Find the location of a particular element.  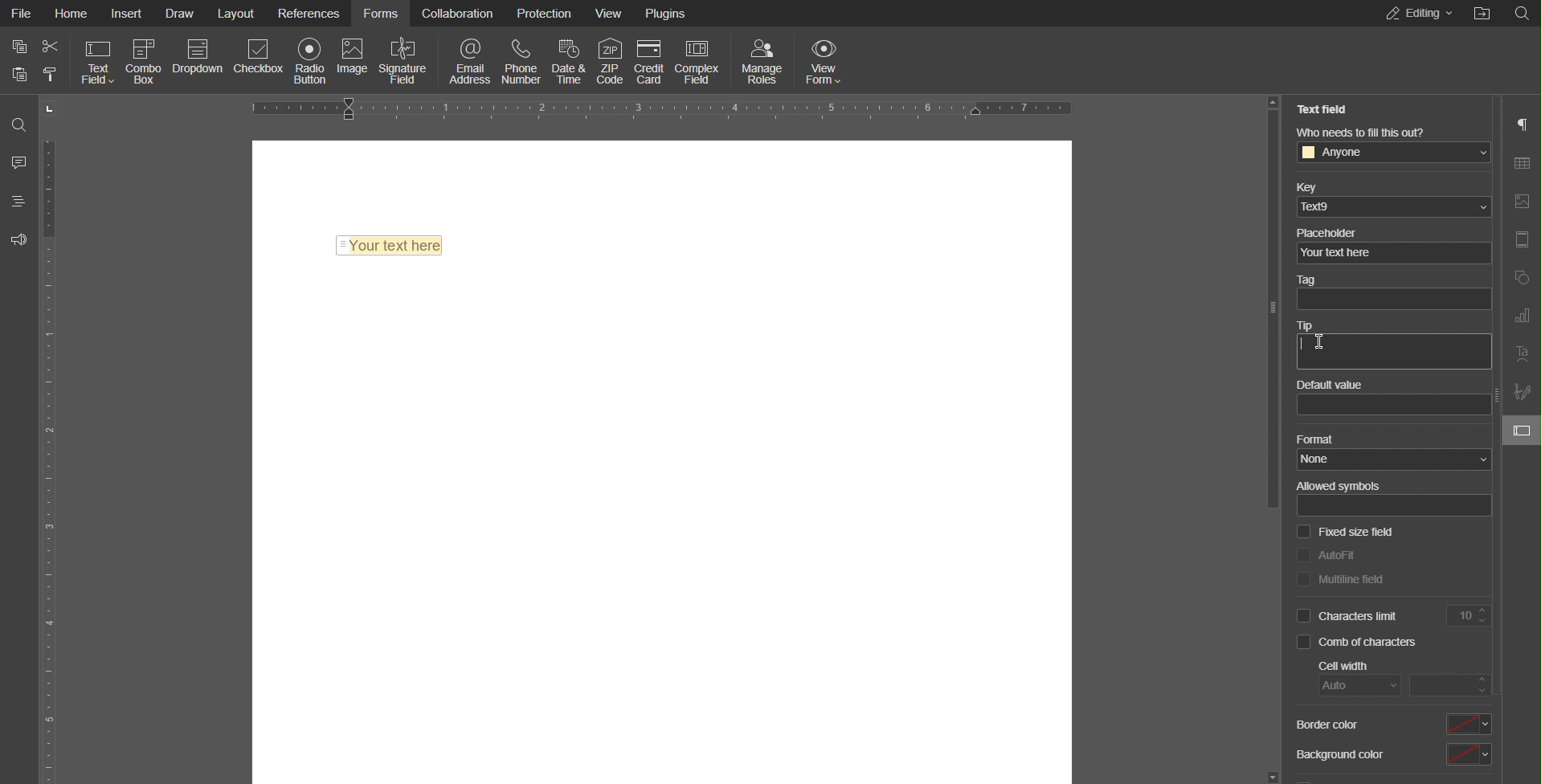

Forms is located at coordinates (379, 11).